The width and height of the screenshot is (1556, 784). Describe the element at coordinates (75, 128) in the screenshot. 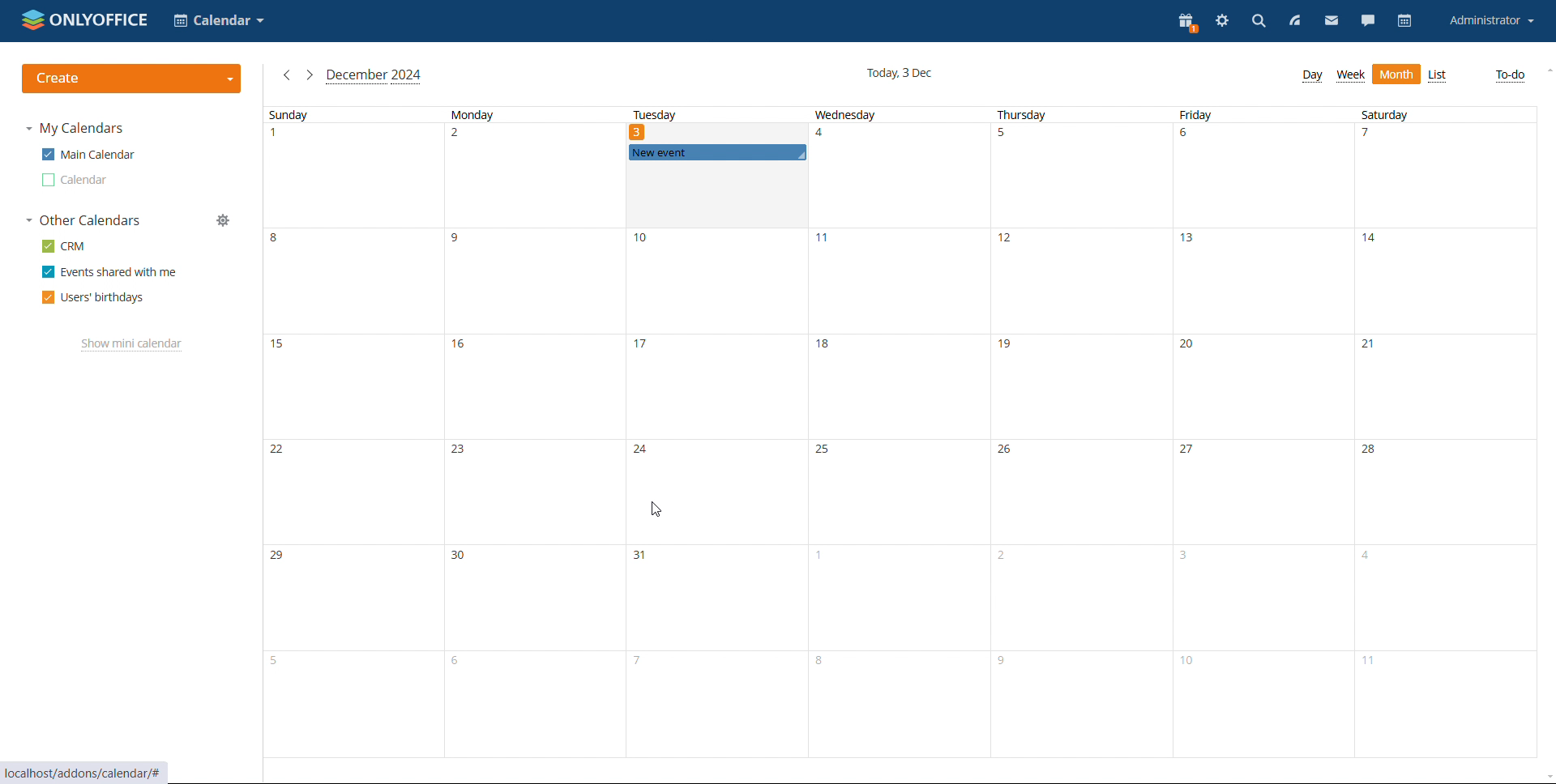

I see `my calendars` at that location.